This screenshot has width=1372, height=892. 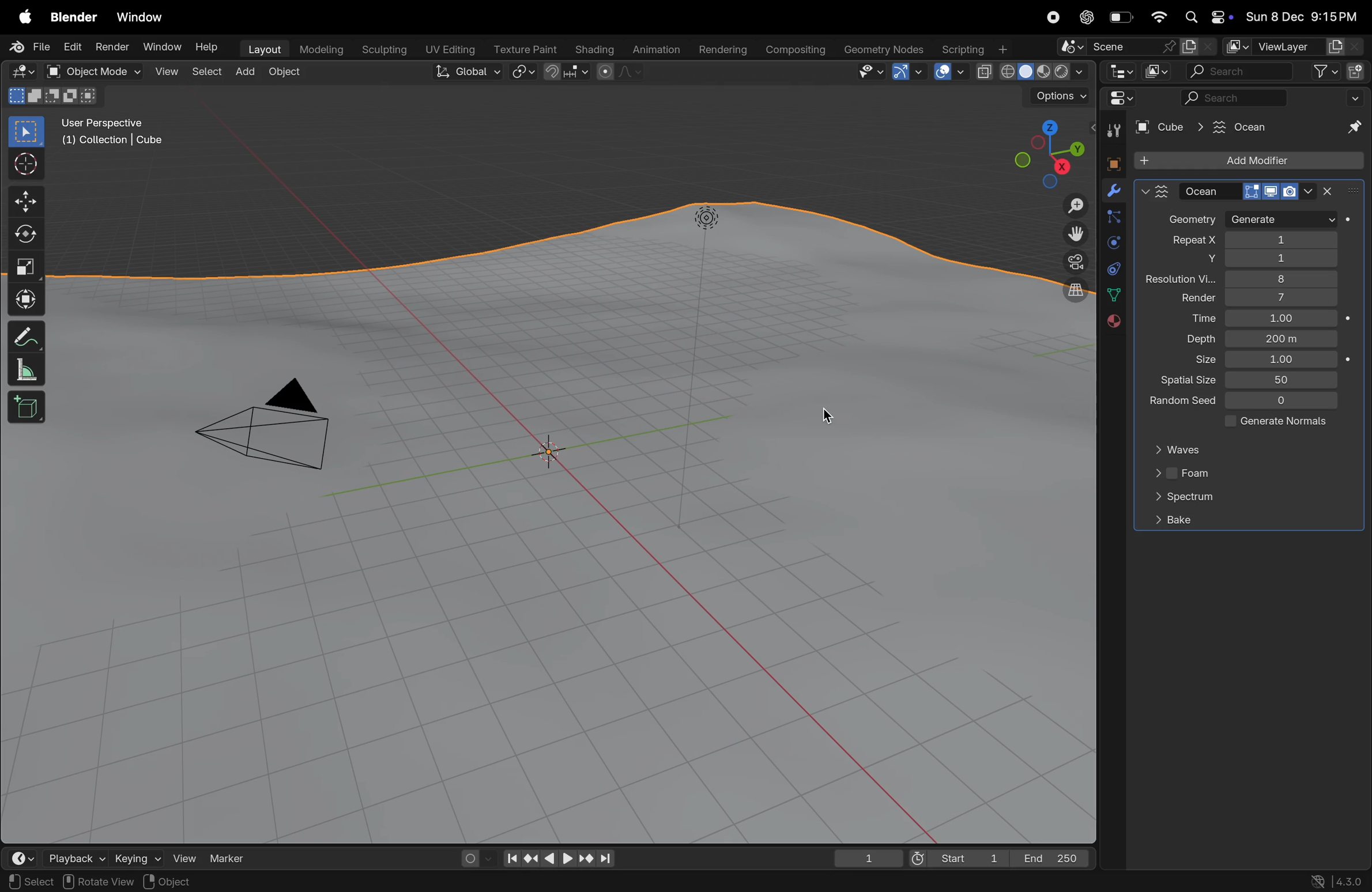 I want to click on add cube, so click(x=27, y=409).